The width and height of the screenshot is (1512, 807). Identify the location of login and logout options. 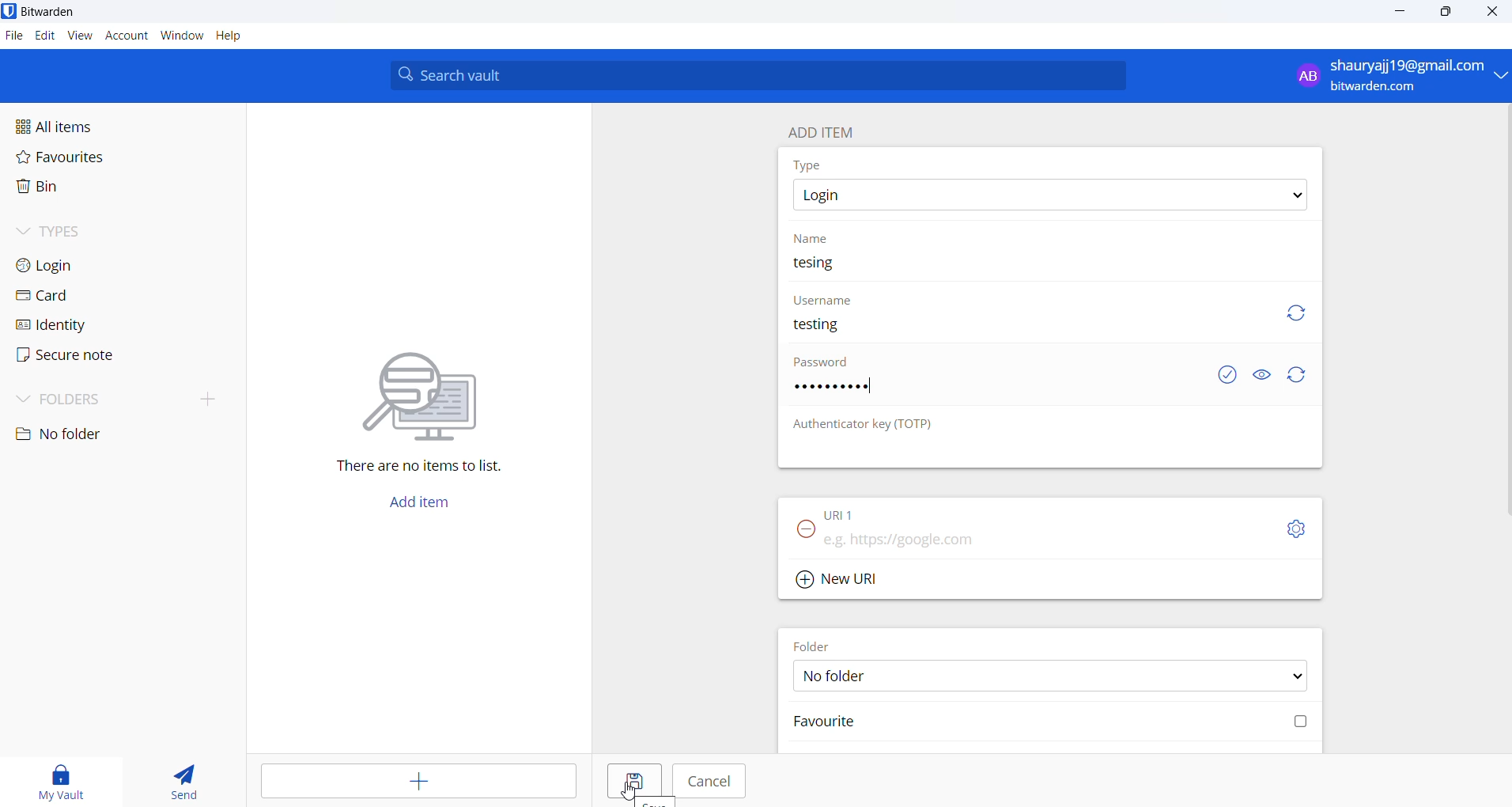
(1400, 77).